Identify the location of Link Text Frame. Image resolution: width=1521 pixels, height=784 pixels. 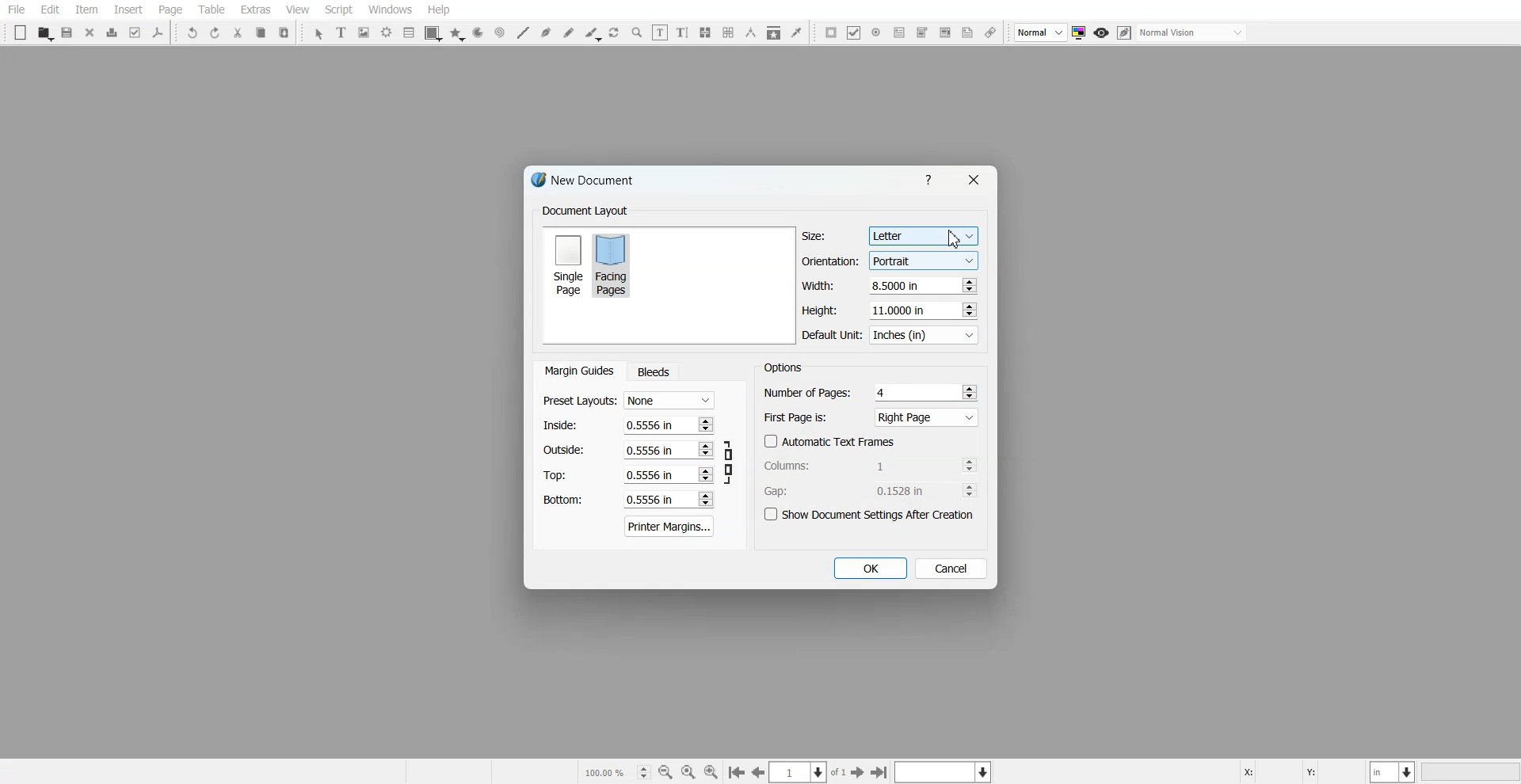
(705, 32).